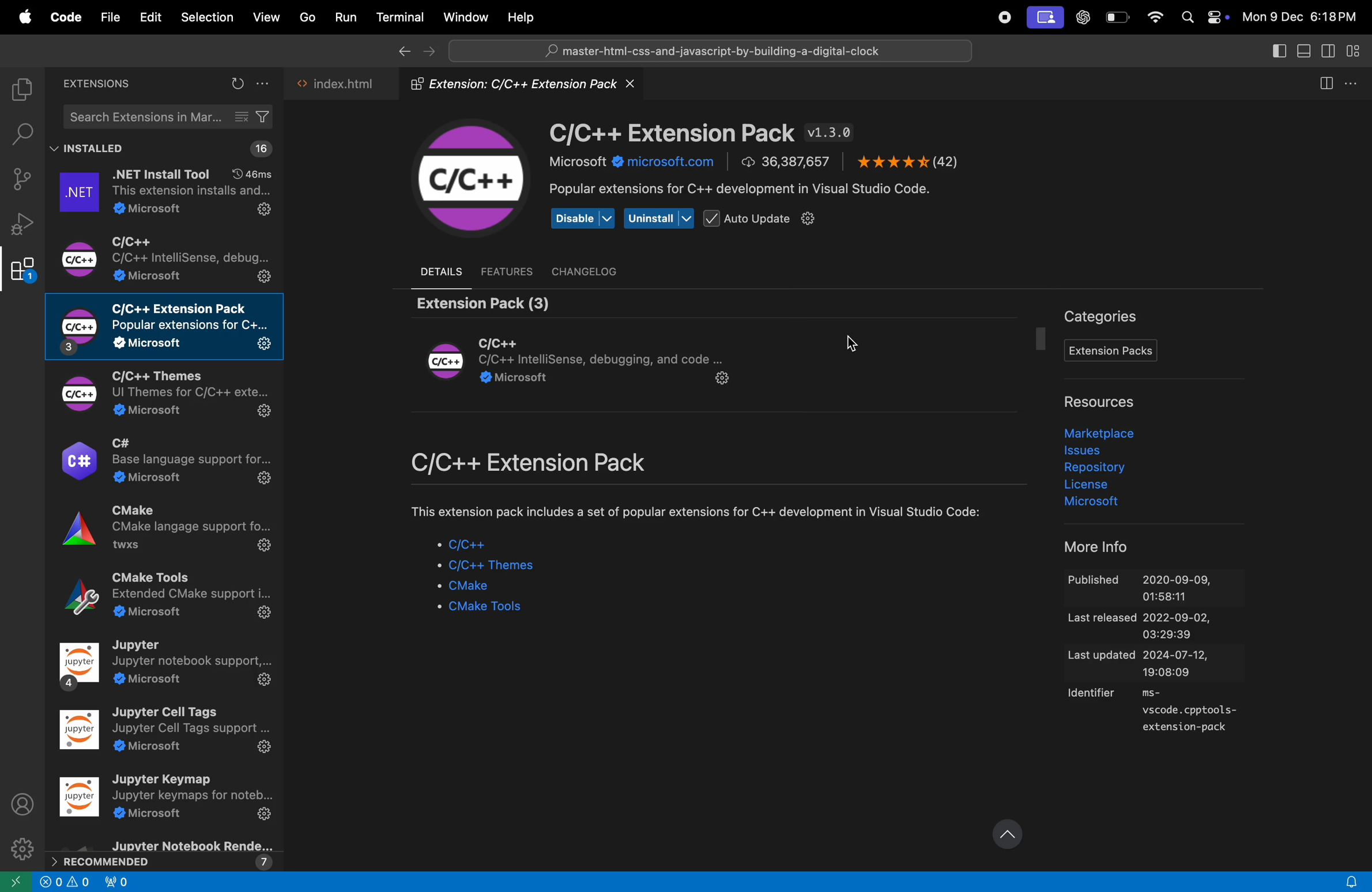 This screenshot has height=892, width=1372. I want to click on options, so click(267, 85).